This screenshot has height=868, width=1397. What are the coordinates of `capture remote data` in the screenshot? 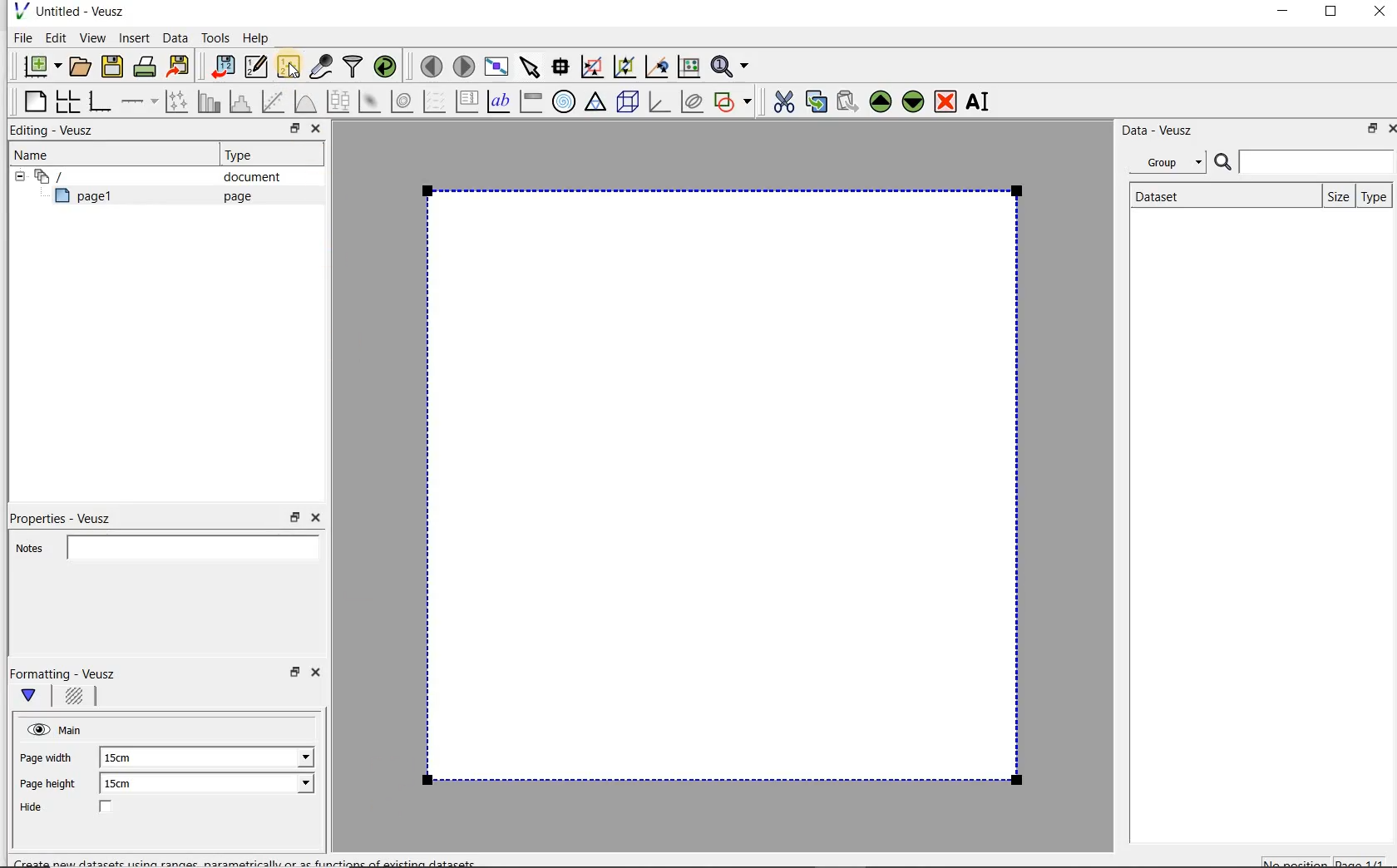 It's located at (322, 69).